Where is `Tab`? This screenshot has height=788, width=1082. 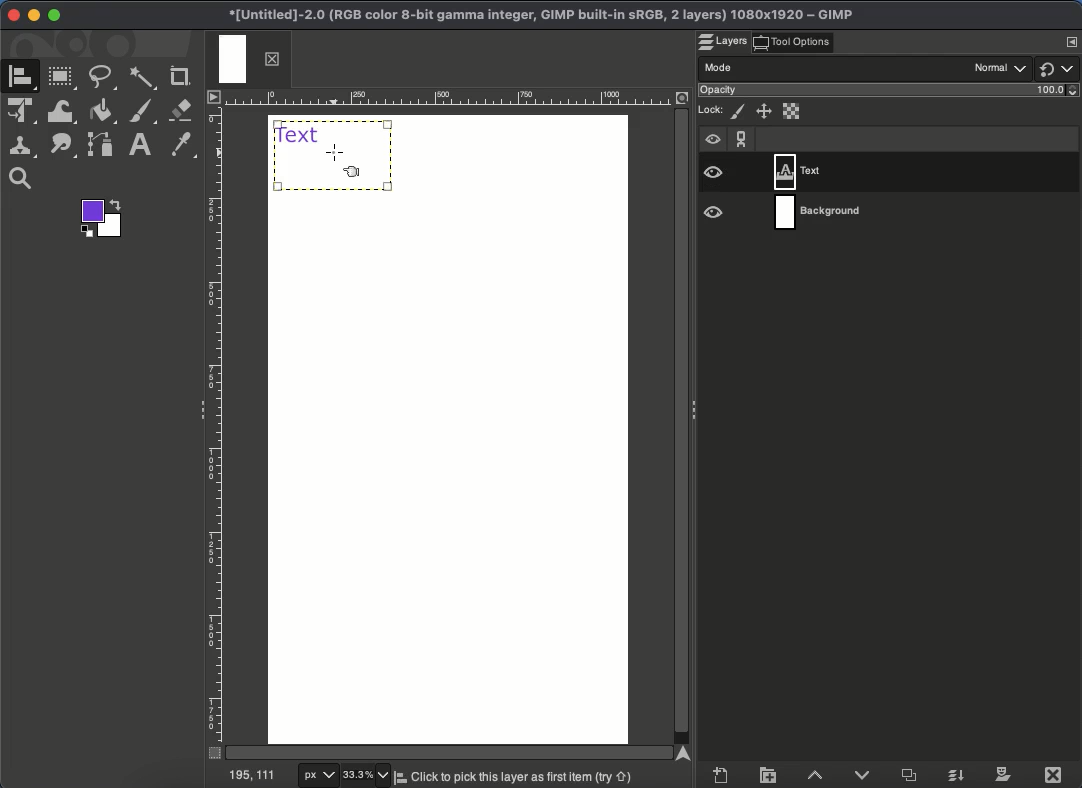 Tab is located at coordinates (247, 60).